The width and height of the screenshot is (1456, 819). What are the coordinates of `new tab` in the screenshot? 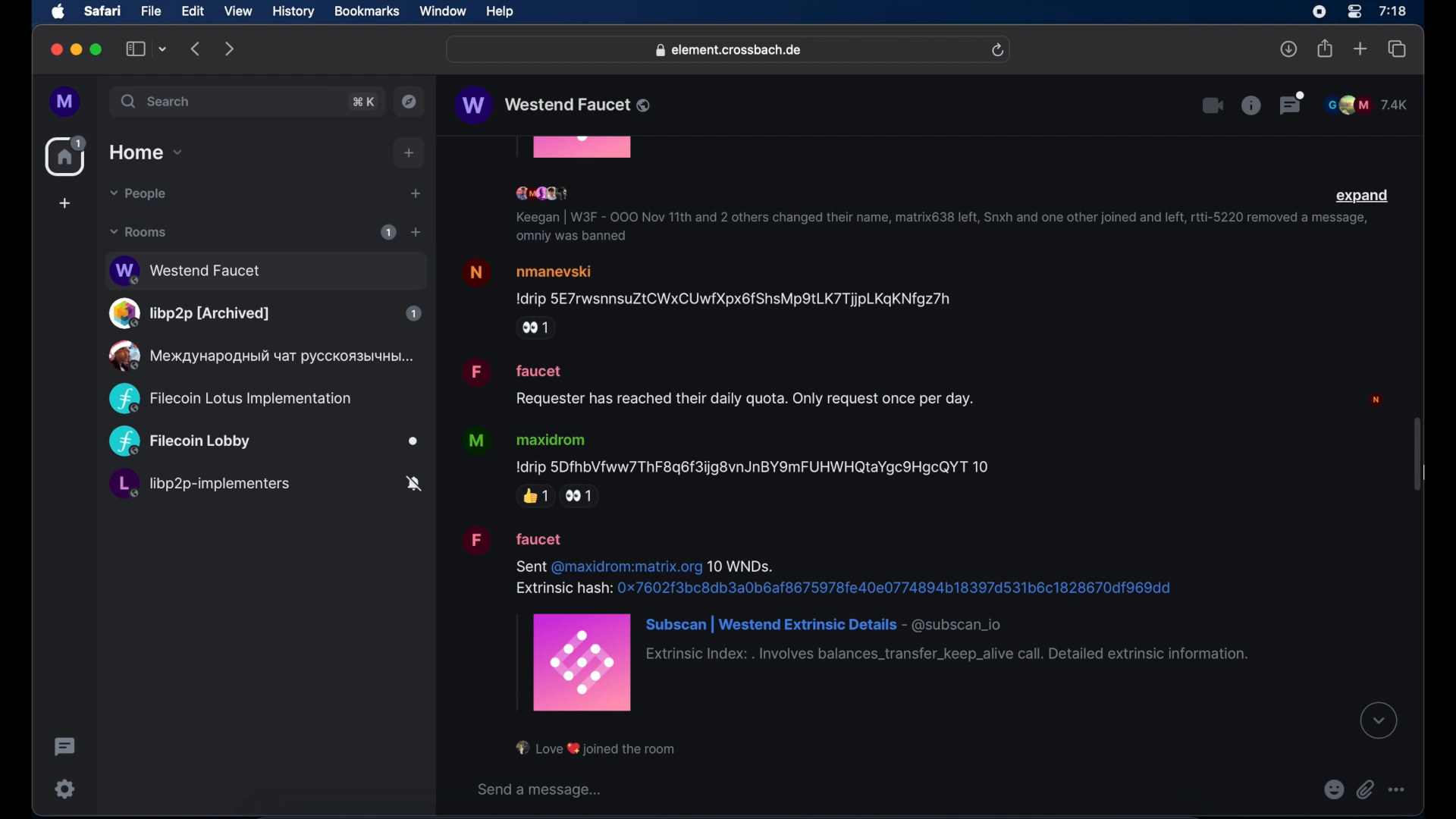 It's located at (1360, 48).